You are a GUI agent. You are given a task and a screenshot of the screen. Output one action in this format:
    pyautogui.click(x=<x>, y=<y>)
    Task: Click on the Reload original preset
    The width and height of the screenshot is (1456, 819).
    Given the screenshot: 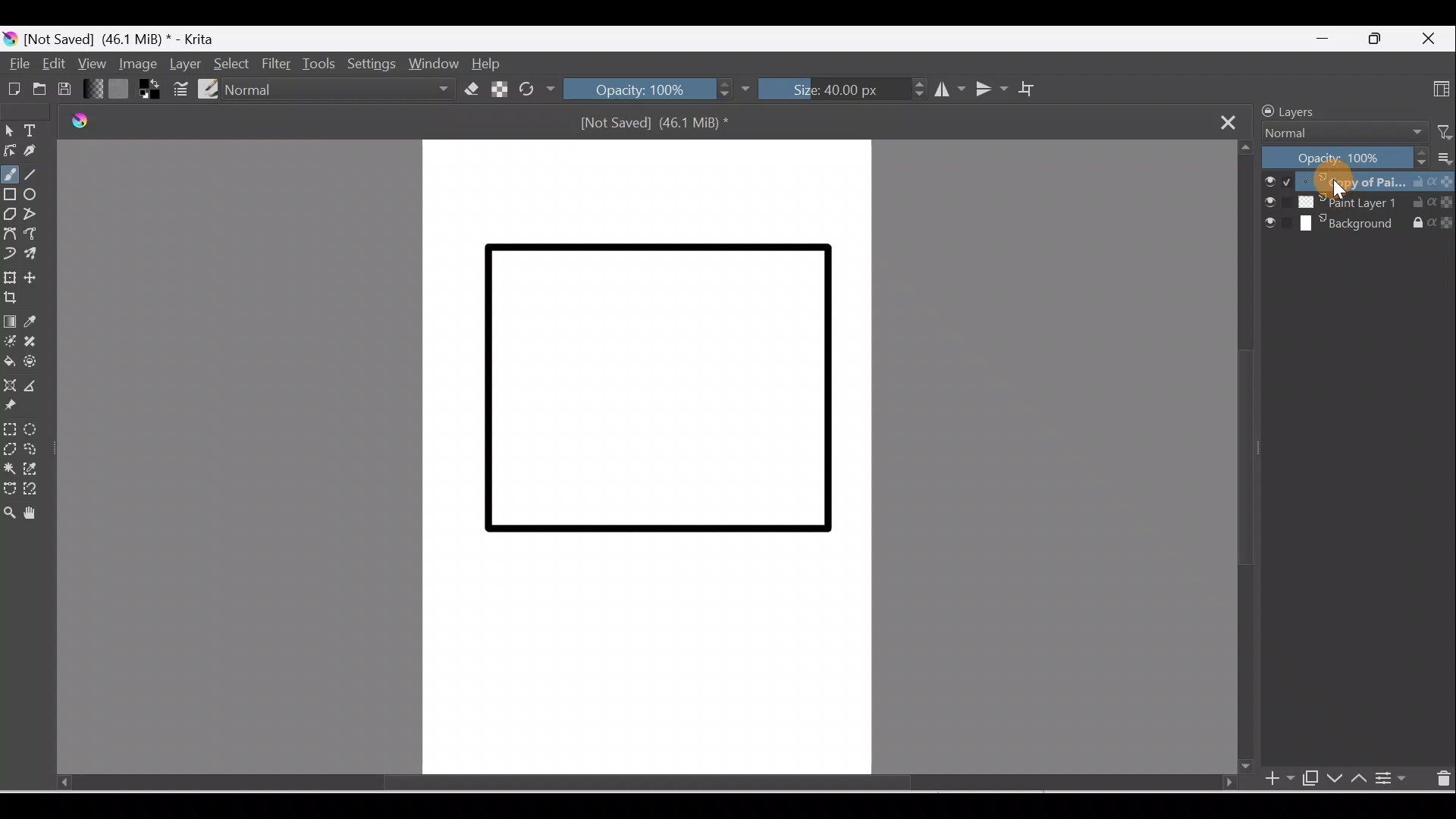 What is the action you would take?
    pyautogui.click(x=536, y=89)
    